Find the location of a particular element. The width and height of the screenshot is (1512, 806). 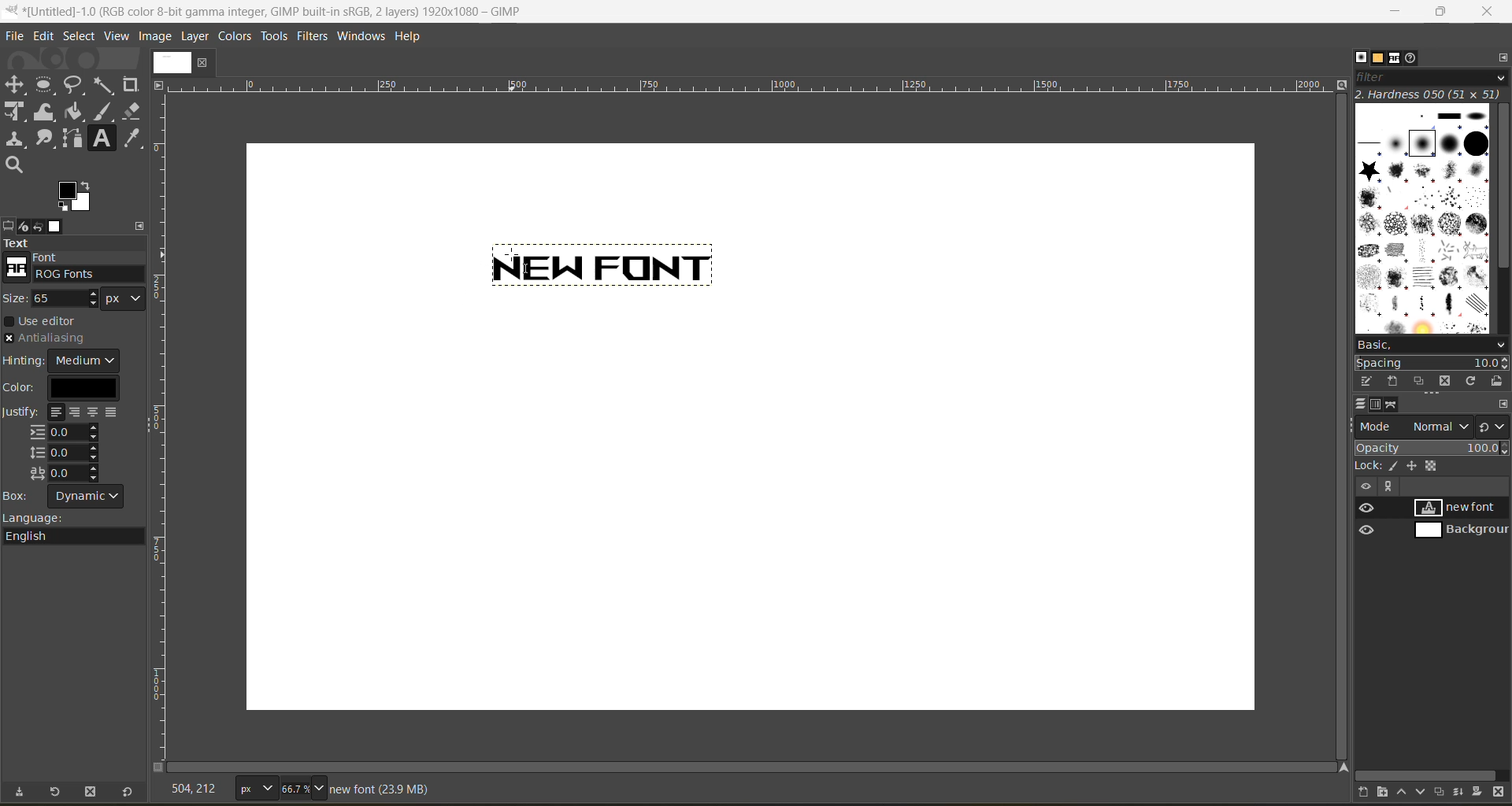

hinting is located at coordinates (64, 360).